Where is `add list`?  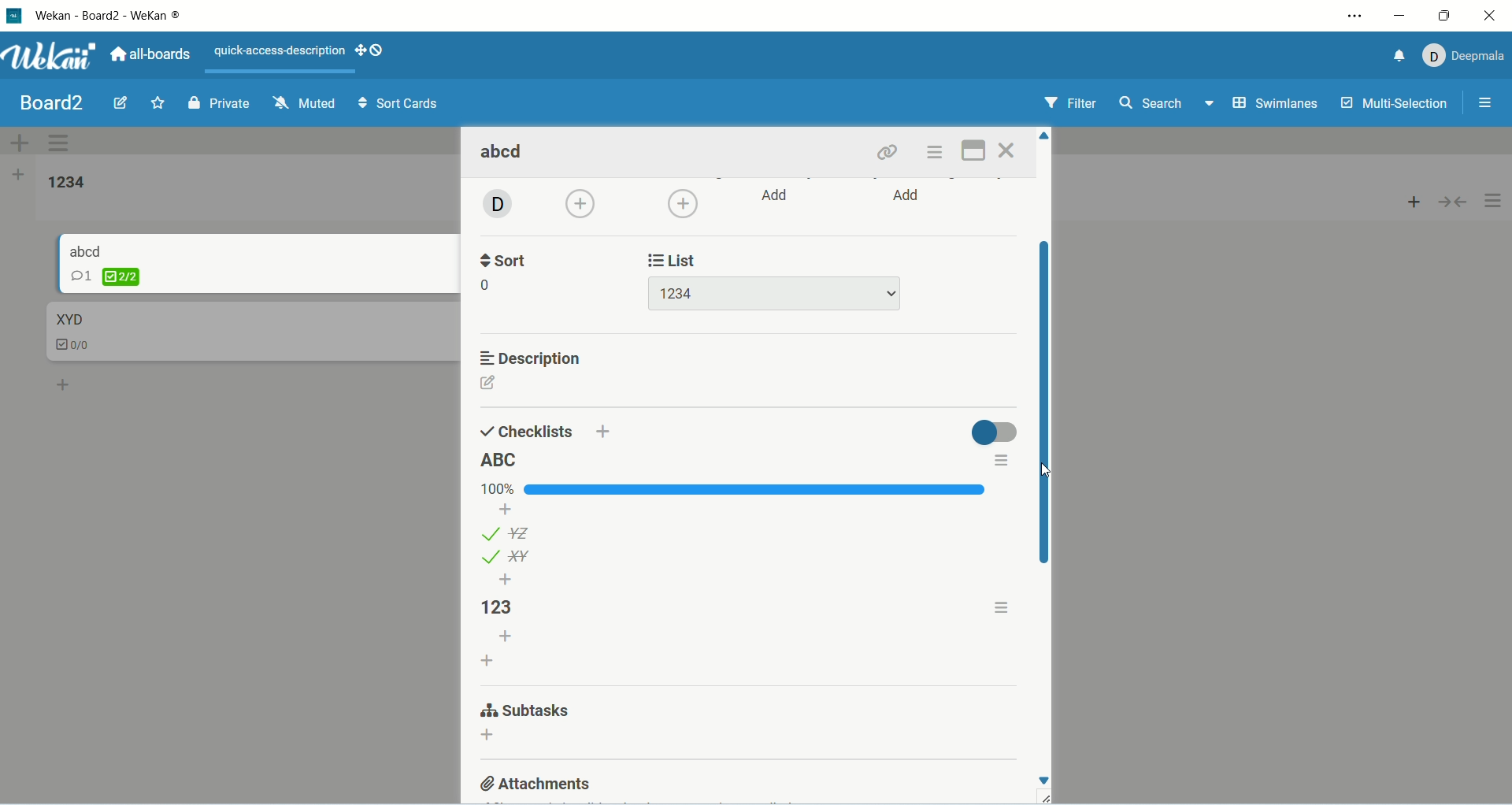 add list is located at coordinates (20, 175).